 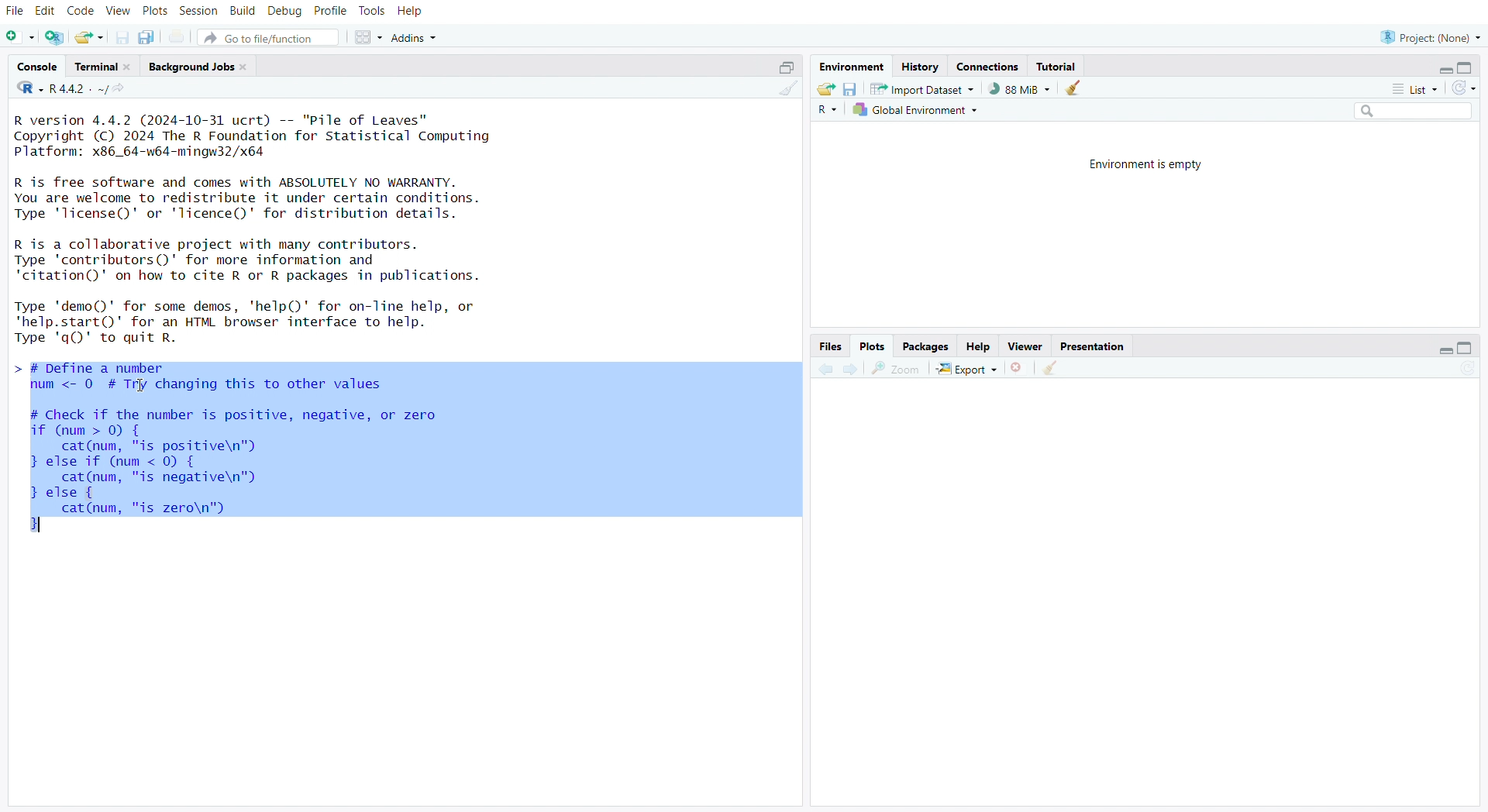 What do you see at coordinates (1057, 66) in the screenshot?
I see `tutorial` at bounding box center [1057, 66].